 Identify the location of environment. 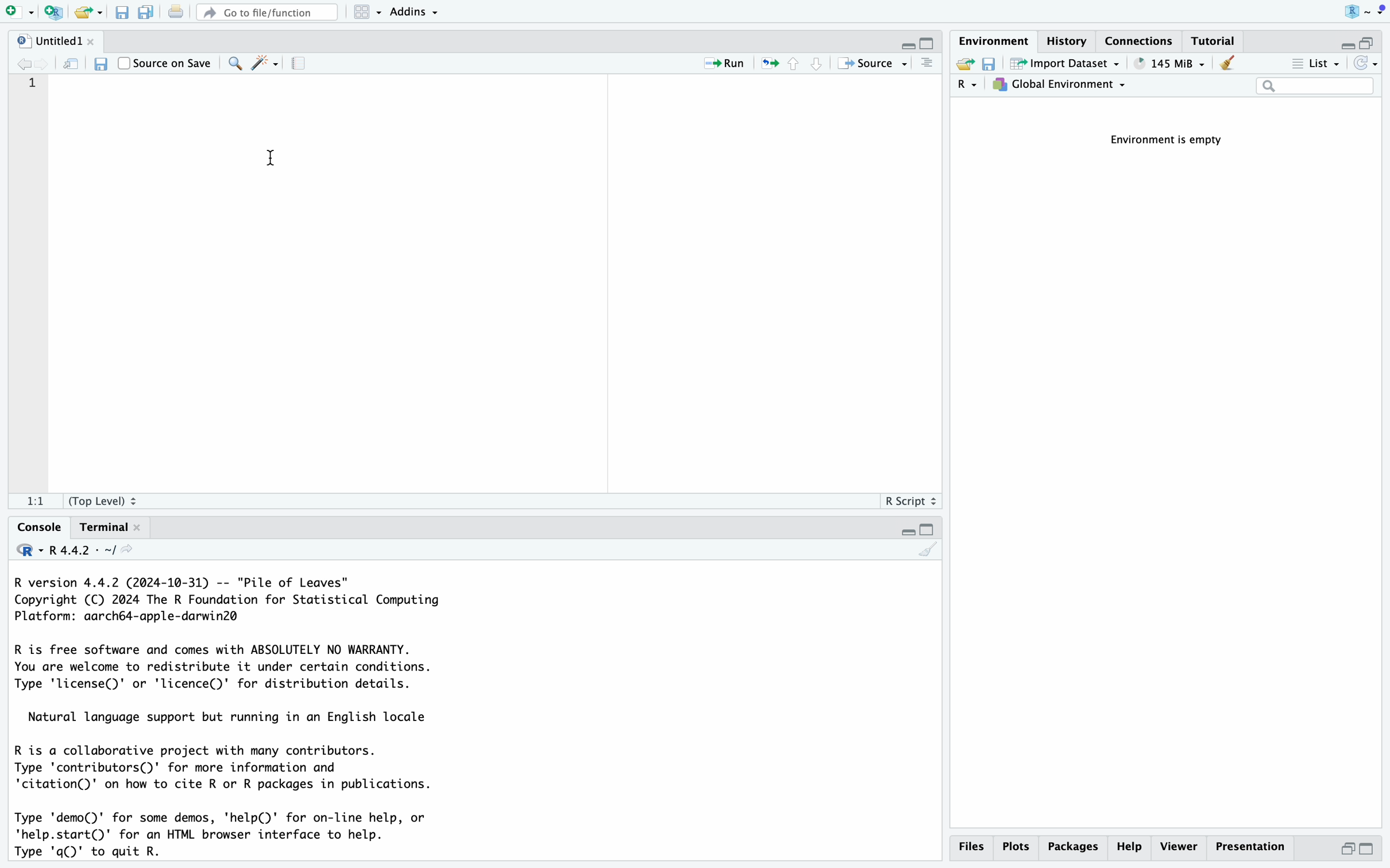
(995, 39).